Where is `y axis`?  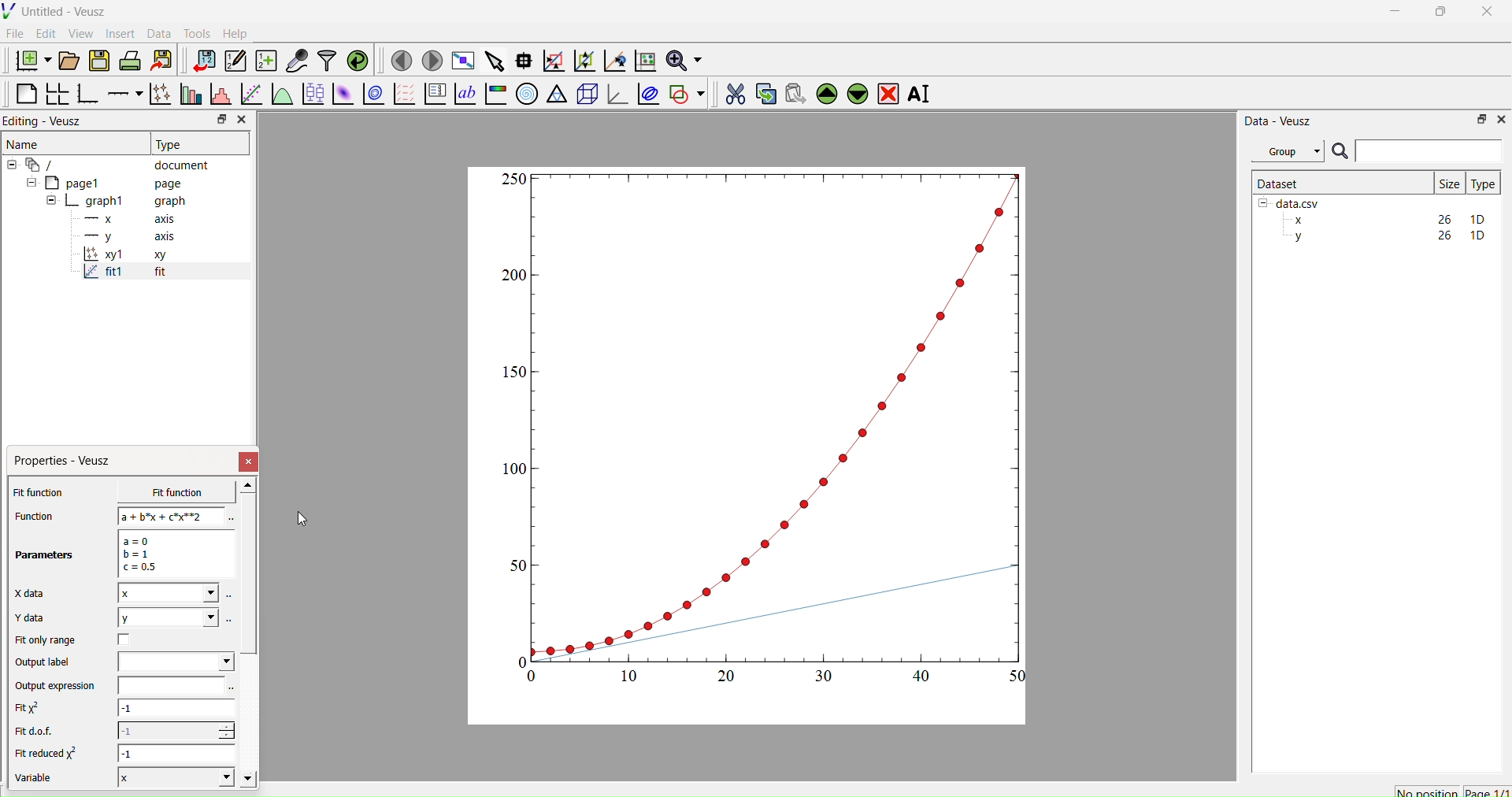 y axis is located at coordinates (120, 236).